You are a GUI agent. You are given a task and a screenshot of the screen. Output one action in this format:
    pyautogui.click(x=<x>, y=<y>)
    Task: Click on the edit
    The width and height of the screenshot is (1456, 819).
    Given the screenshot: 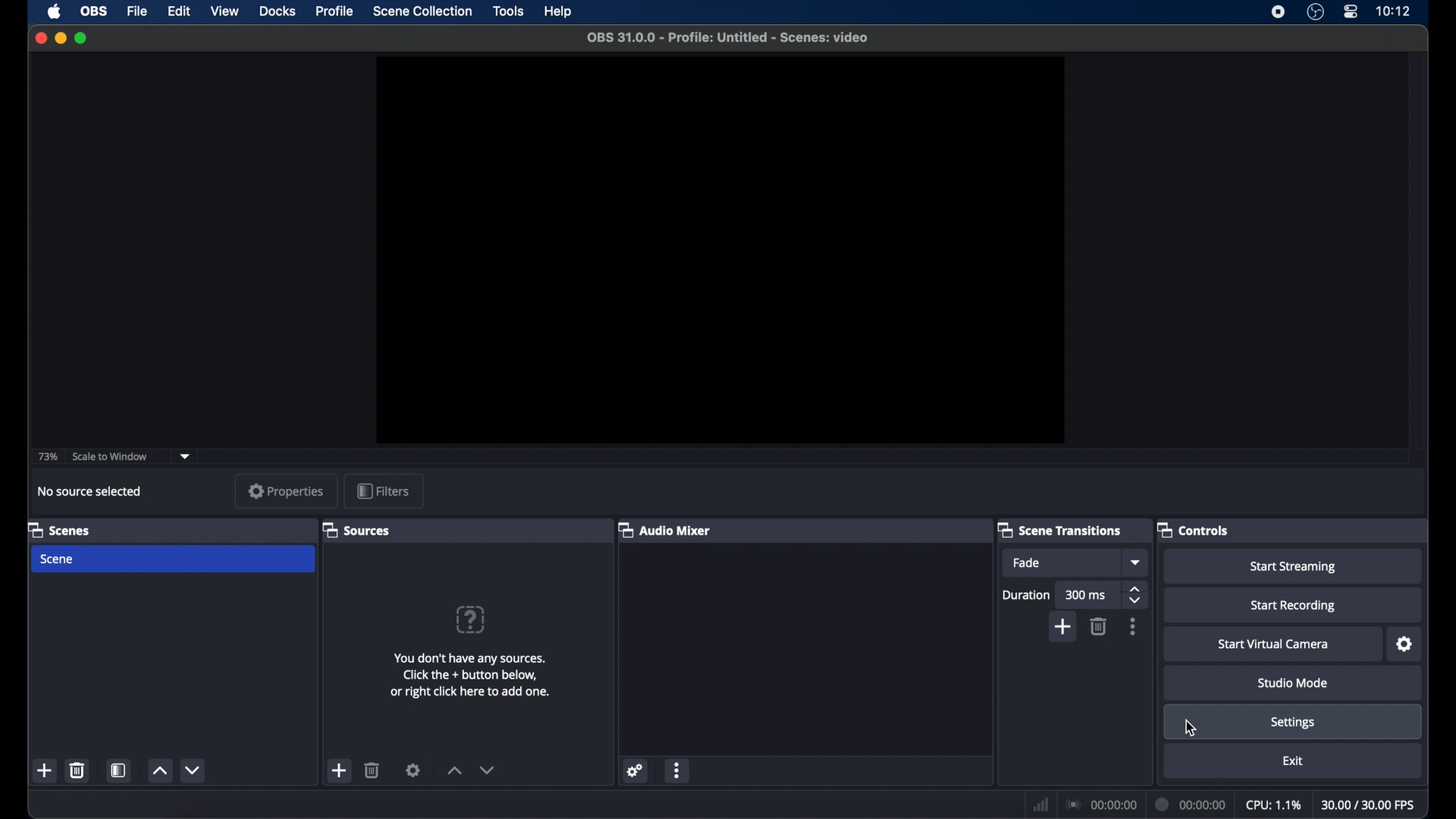 What is the action you would take?
    pyautogui.click(x=178, y=11)
    